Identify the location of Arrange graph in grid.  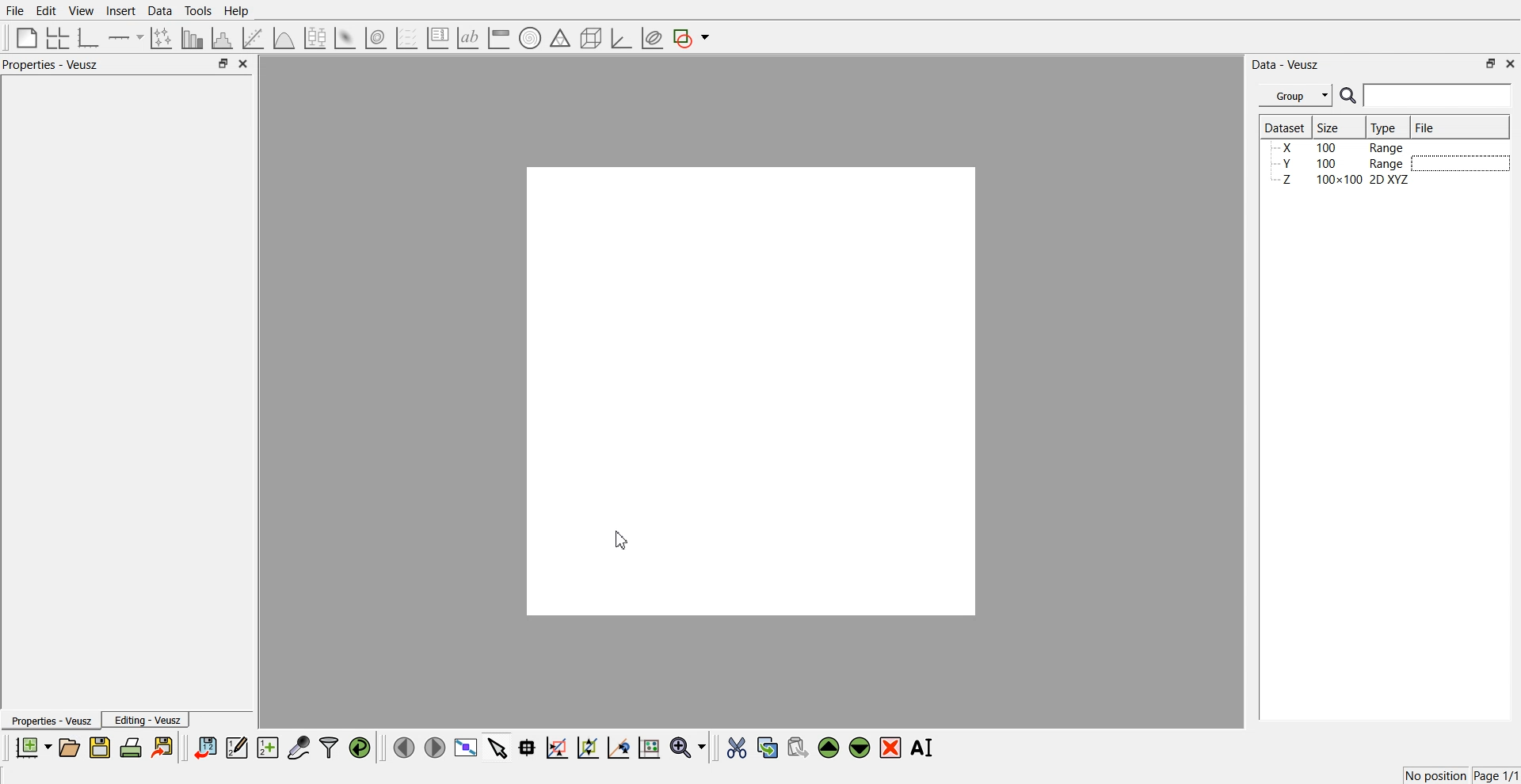
(58, 39).